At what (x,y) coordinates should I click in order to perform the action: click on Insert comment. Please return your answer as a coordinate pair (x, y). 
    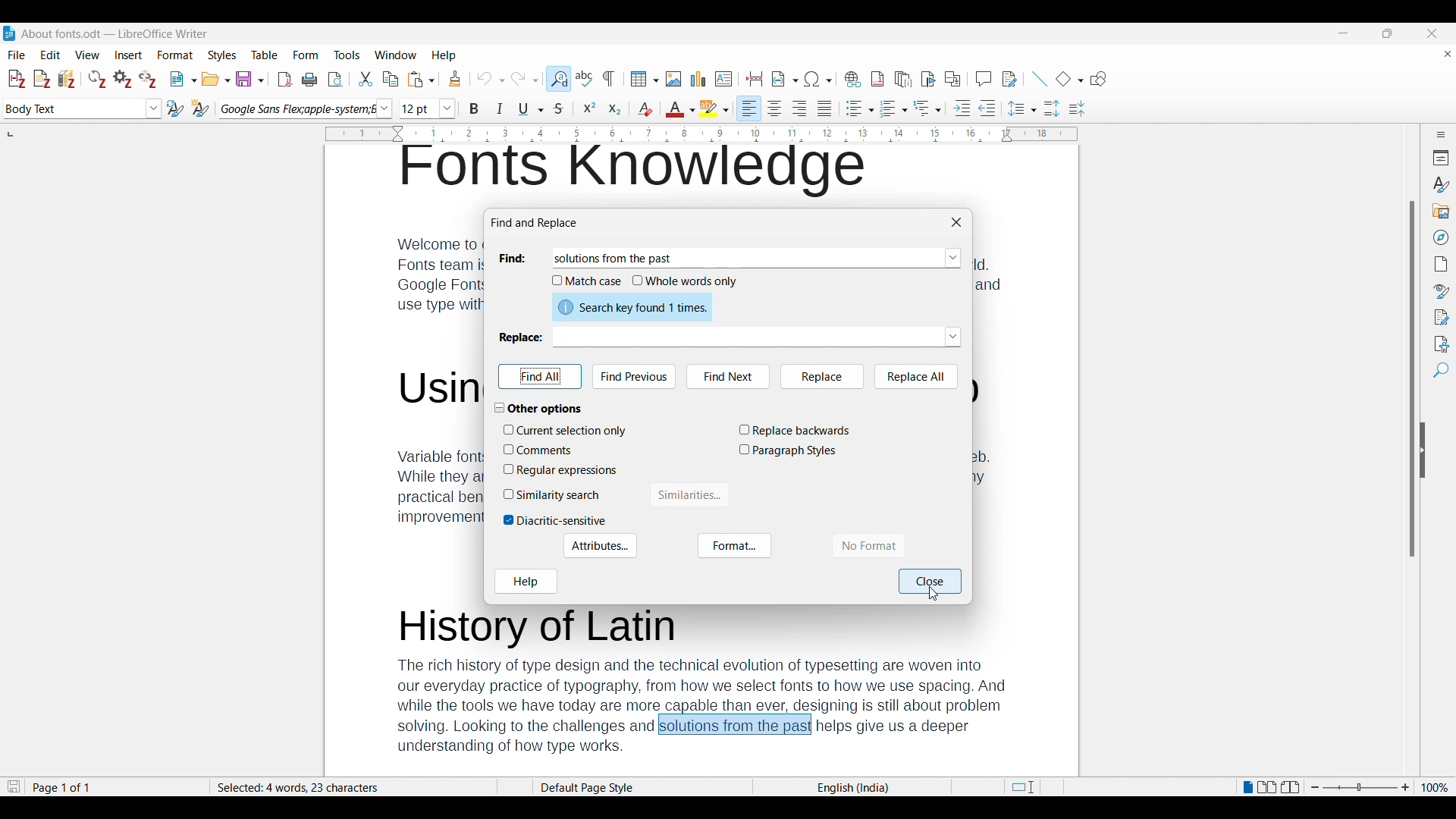
    Looking at the image, I should click on (984, 78).